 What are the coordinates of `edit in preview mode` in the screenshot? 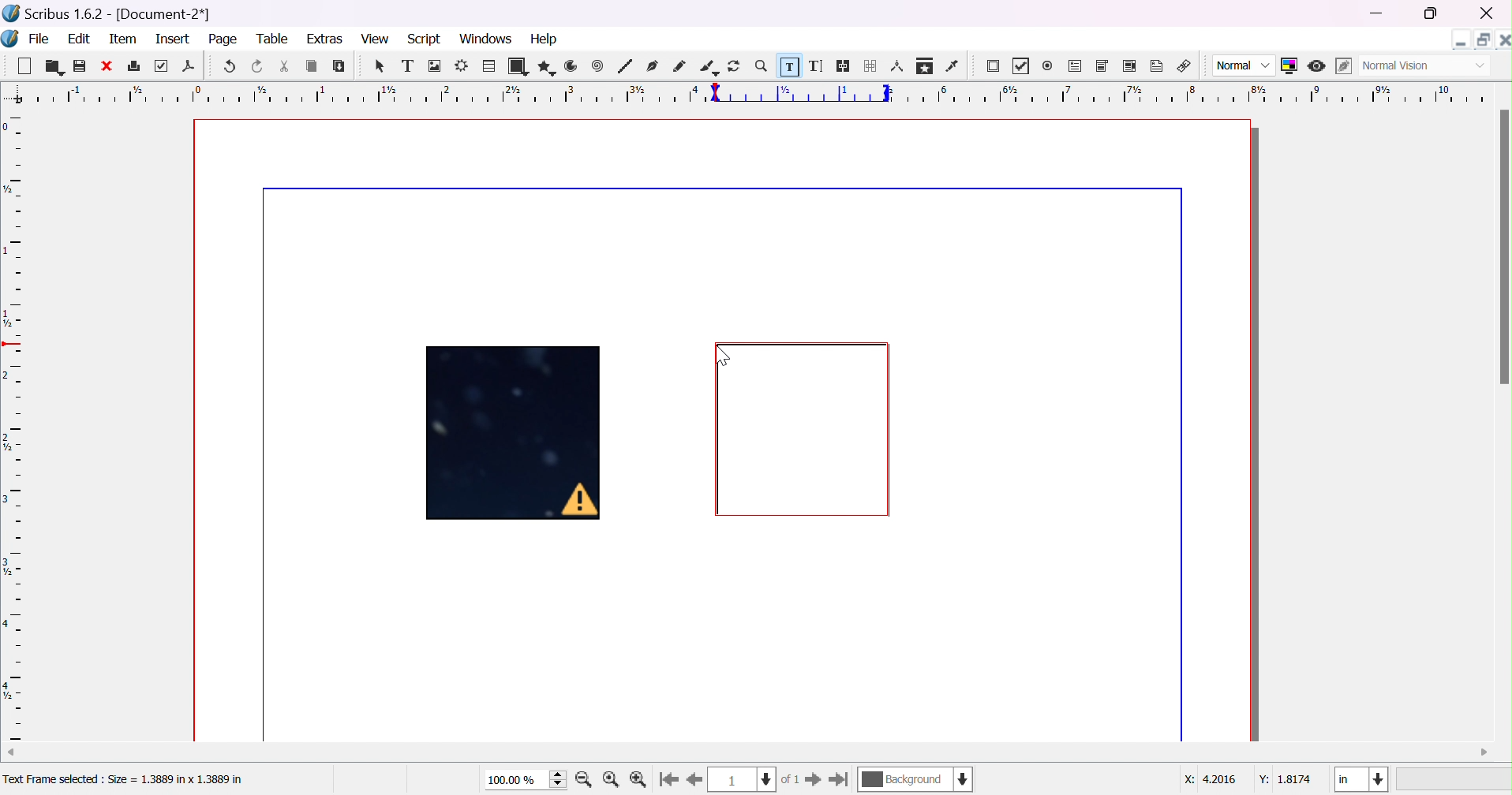 It's located at (1341, 66).